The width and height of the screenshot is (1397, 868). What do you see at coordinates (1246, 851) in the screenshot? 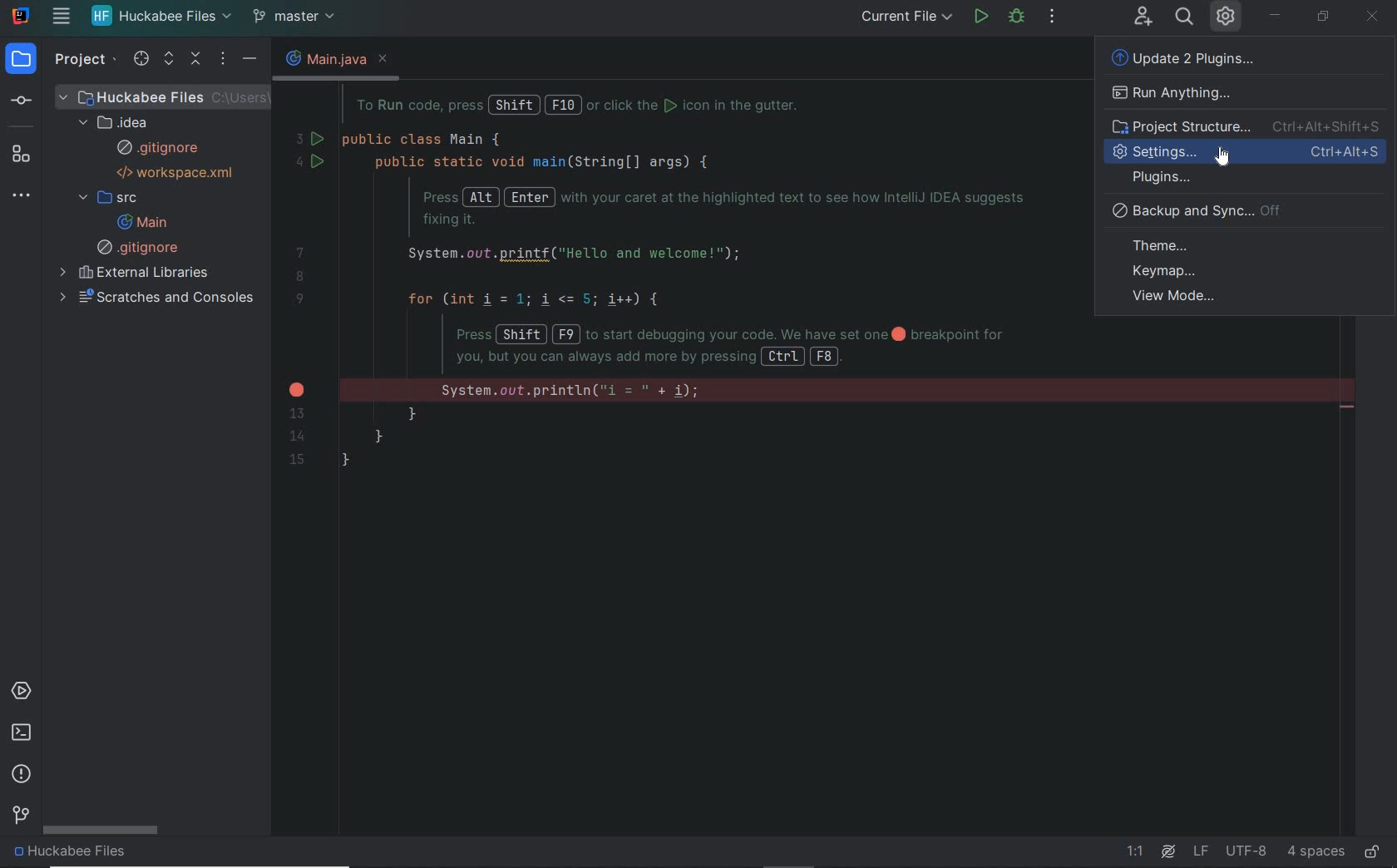
I see `file encoding` at bounding box center [1246, 851].